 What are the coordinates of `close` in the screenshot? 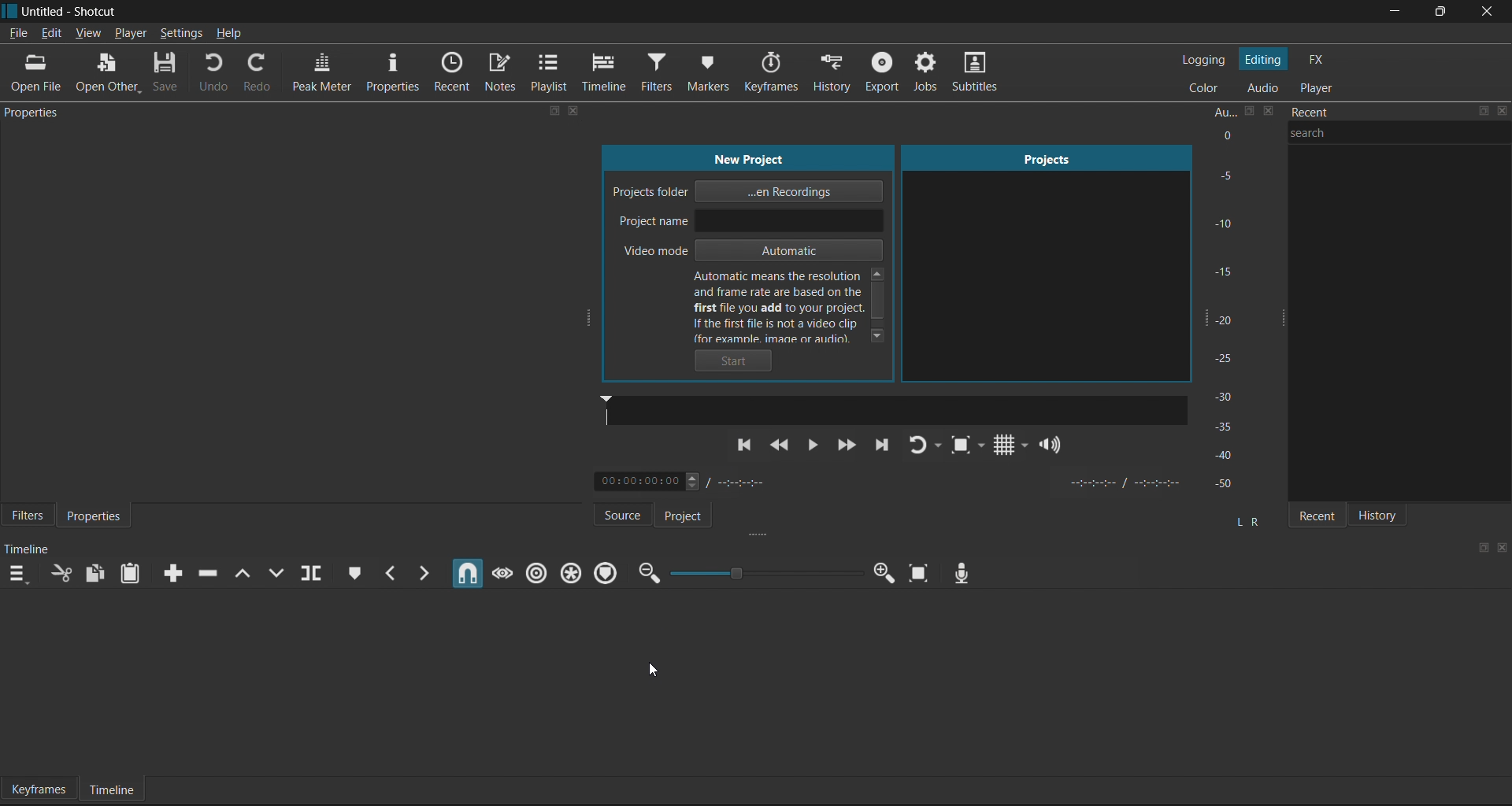 It's located at (1503, 114).